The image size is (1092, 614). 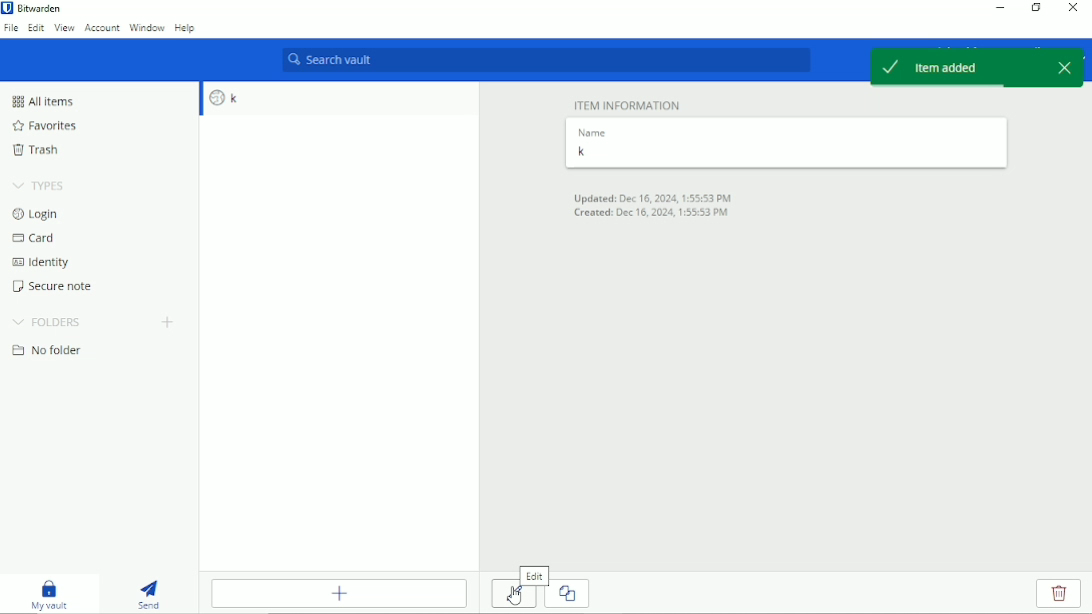 I want to click on Name k, so click(x=784, y=144).